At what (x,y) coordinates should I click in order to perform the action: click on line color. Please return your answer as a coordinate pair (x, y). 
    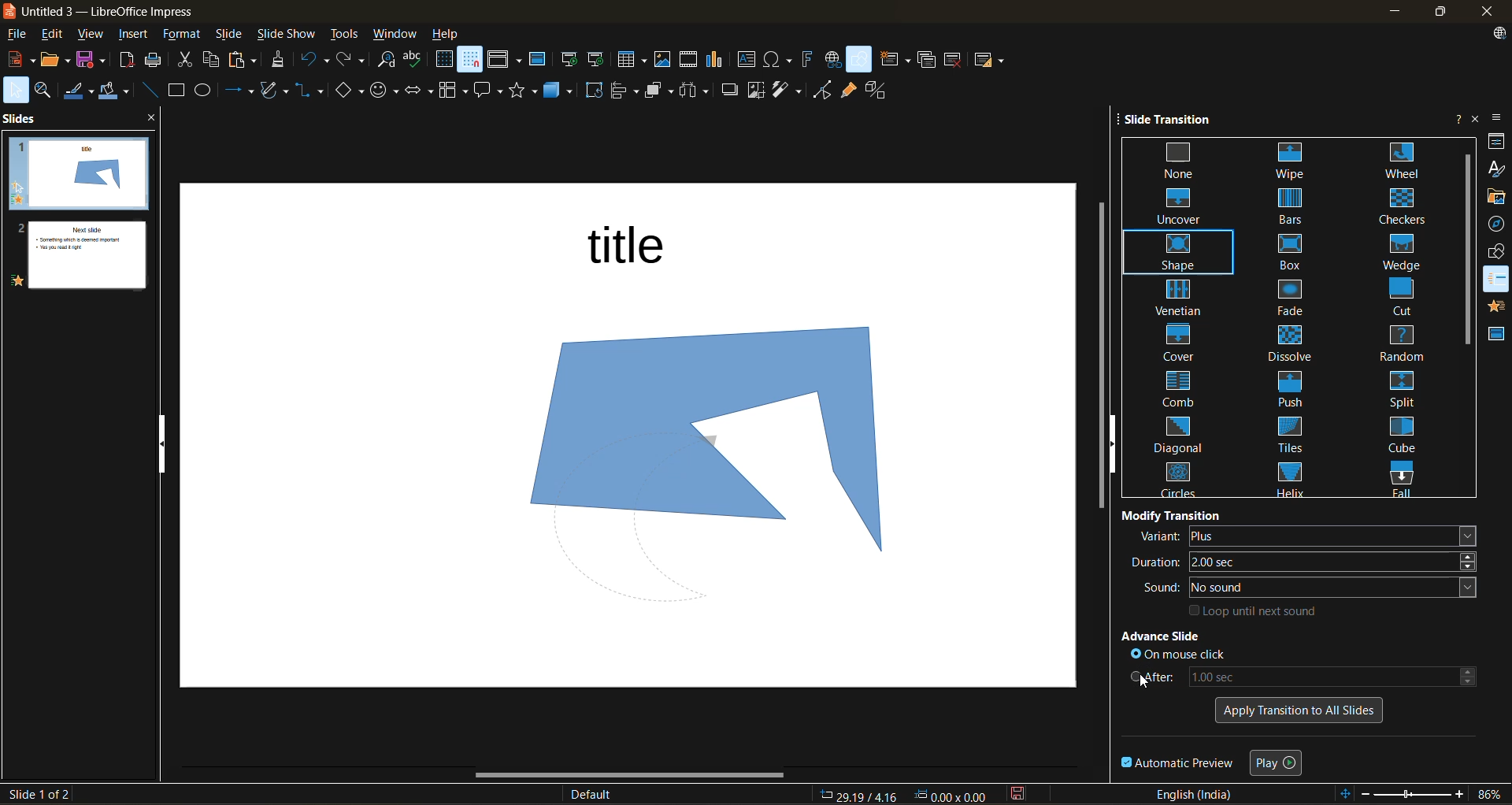
    Looking at the image, I should click on (81, 92).